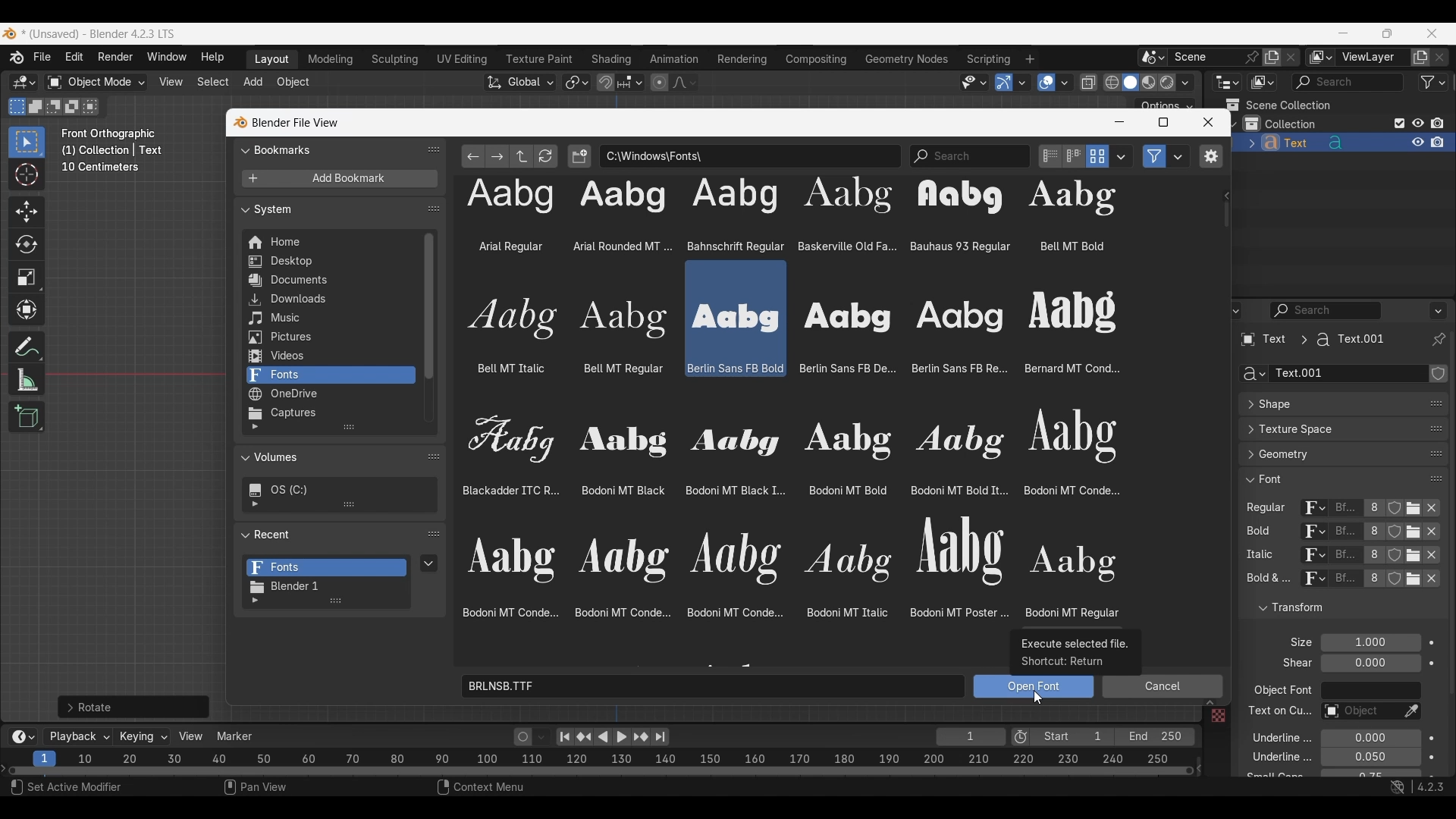 This screenshot has height=819, width=1456. What do you see at coordinates (1076, 653) in the screenshot?
I see `Description of icon being selected` at bounding box center [1076, 653].